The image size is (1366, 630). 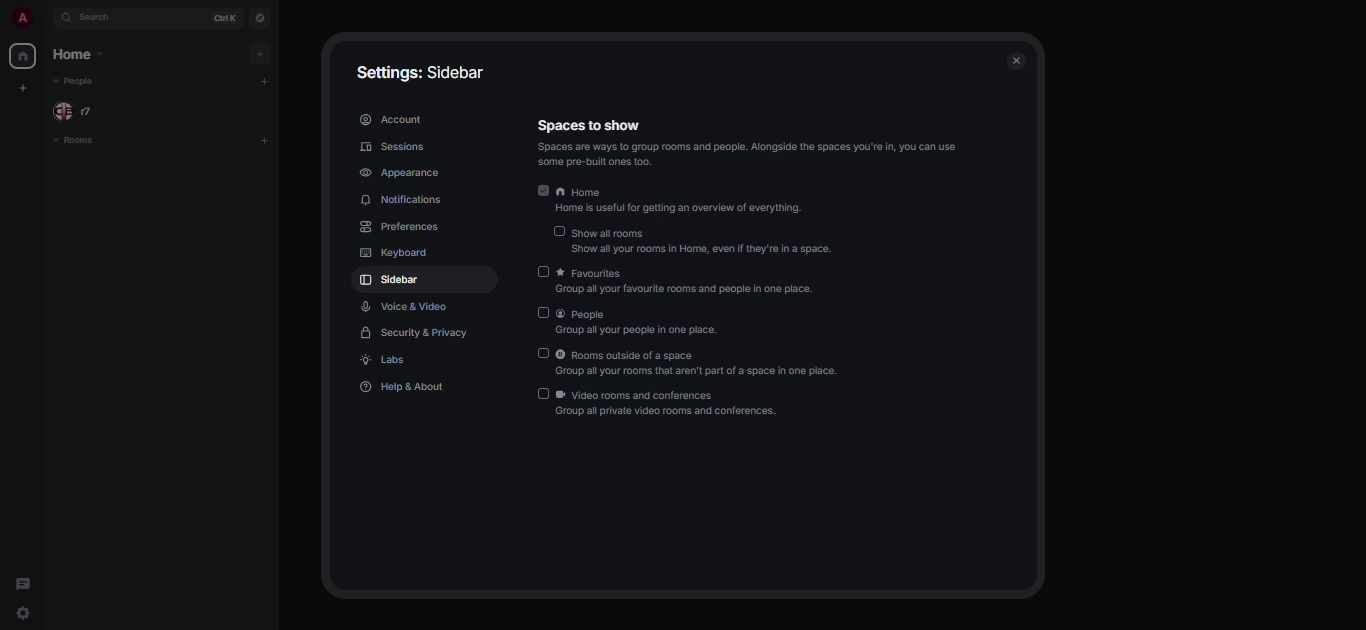 I want to click on Group all private video rooms and conferences., so click(x=718, y=413).